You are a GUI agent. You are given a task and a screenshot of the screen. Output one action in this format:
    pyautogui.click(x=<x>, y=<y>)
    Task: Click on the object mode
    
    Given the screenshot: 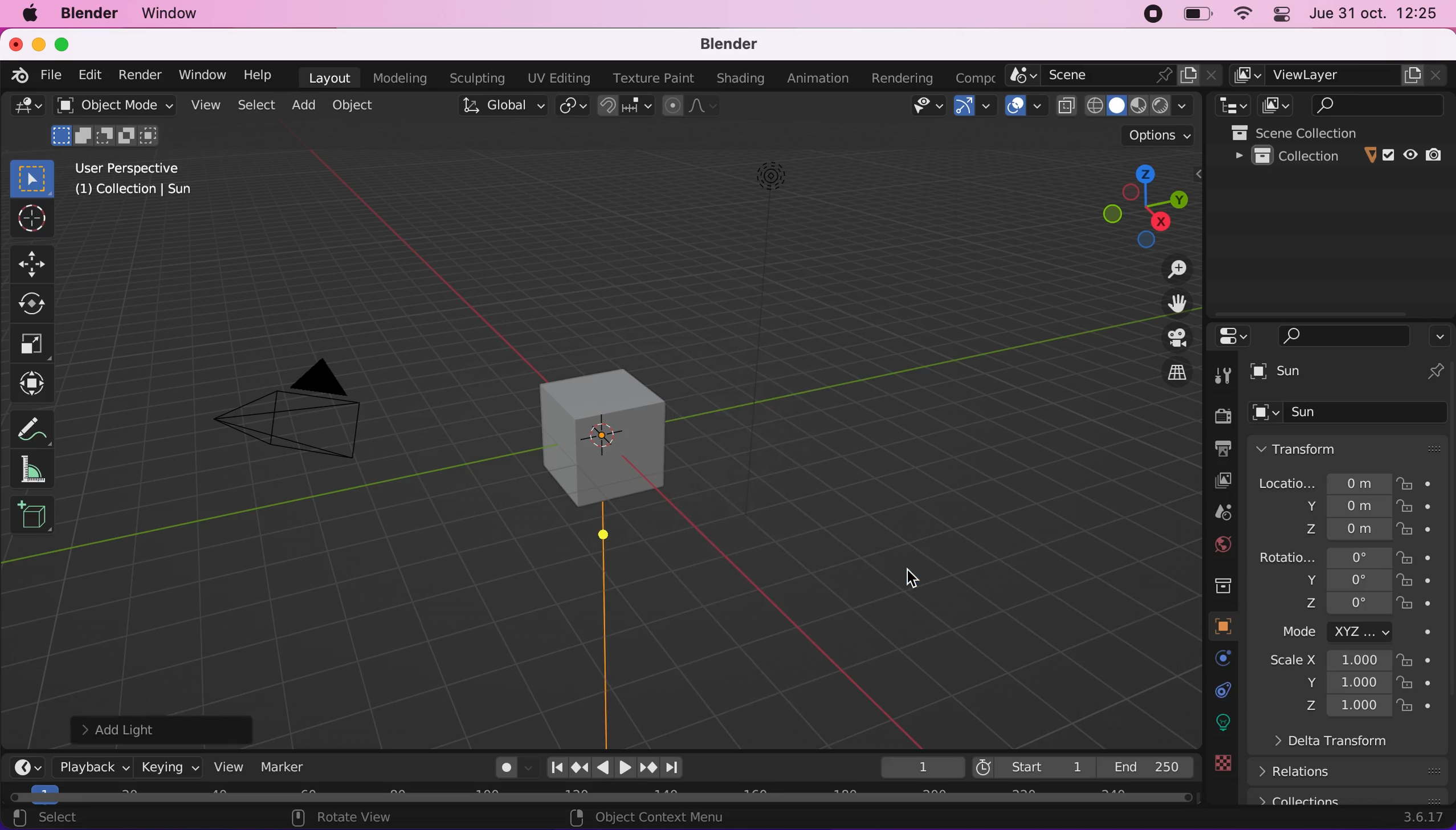 What is the action you would take?
    pyautogui.click(x=115, y=124)
    